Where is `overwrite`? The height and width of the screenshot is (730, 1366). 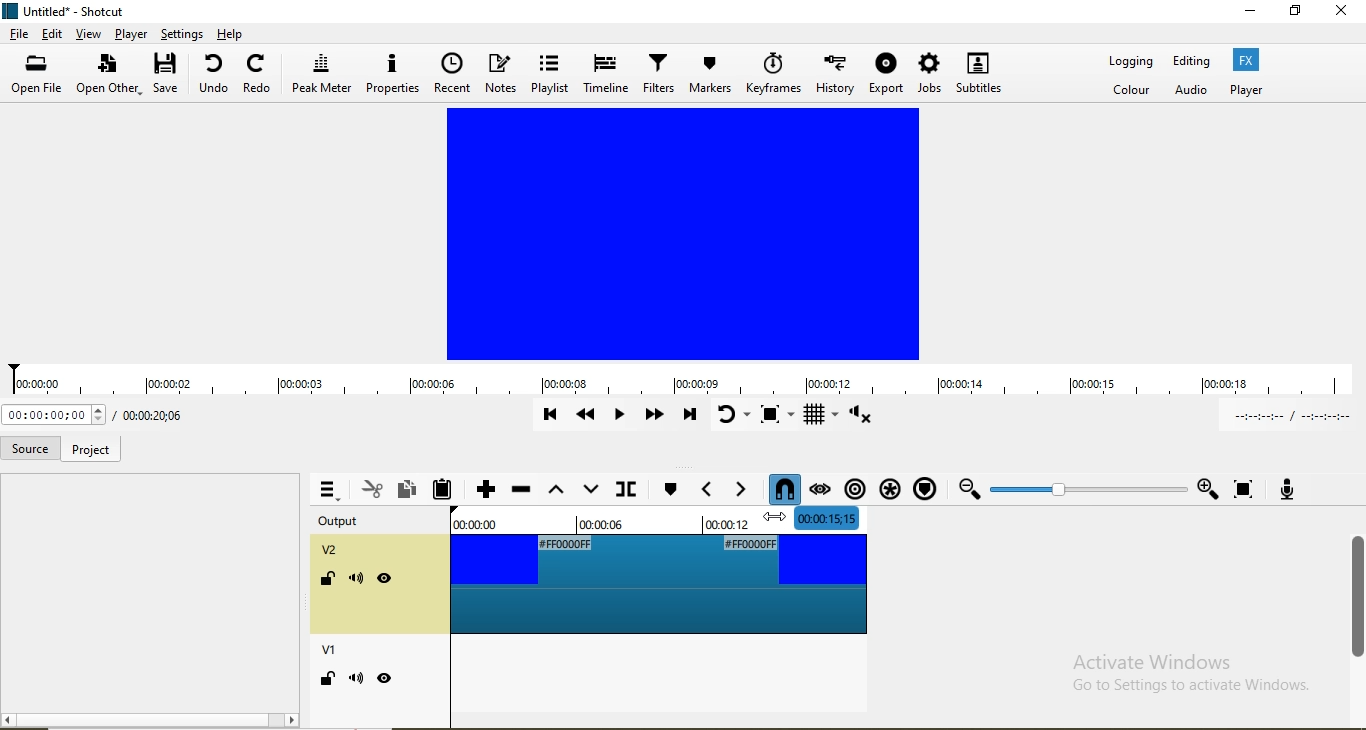 overwrite is located at coordinates (589, 488).